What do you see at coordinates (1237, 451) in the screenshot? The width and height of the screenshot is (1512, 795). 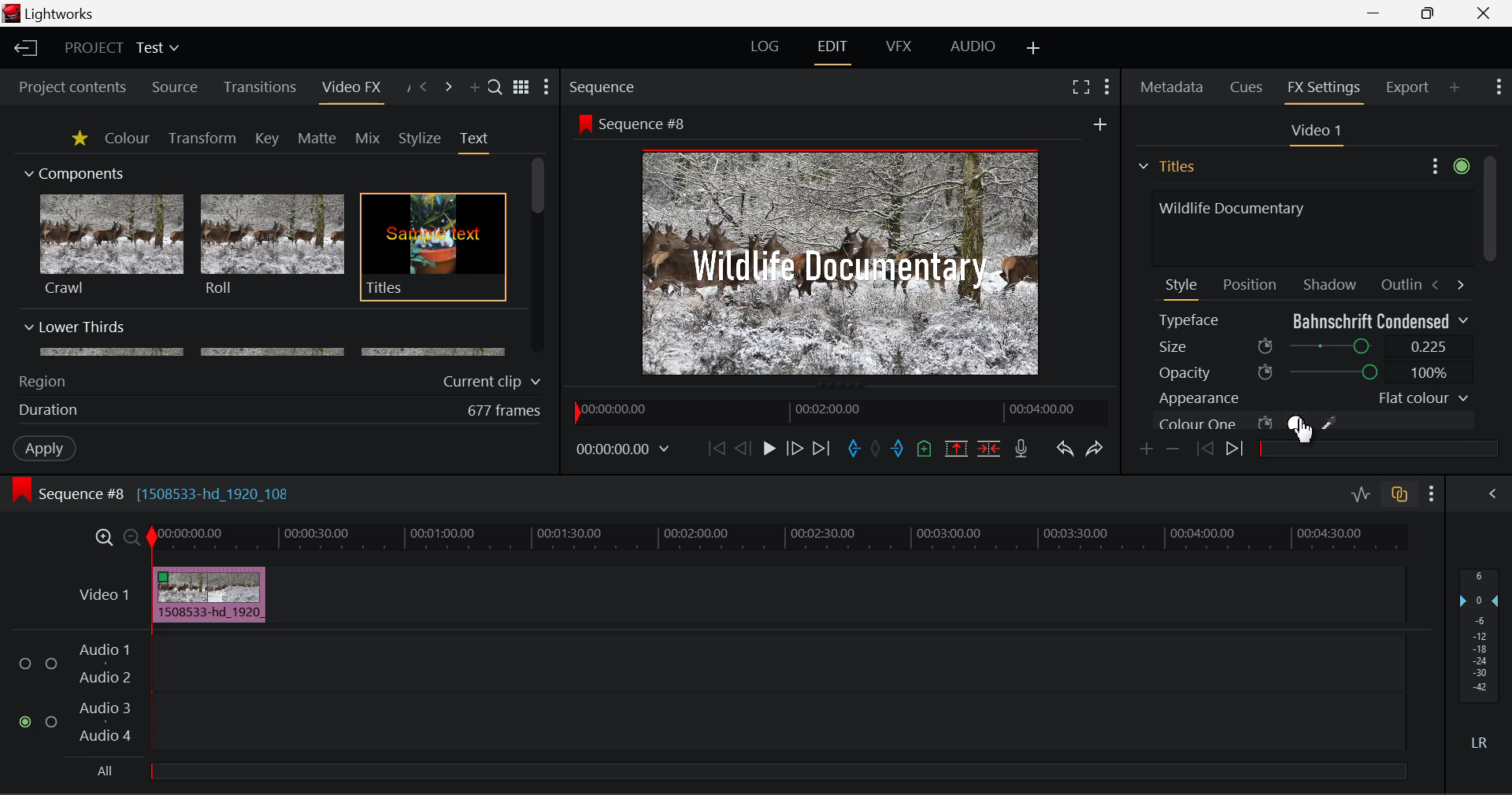 I see `Next keyframe` at bounding box center [1237, 451].